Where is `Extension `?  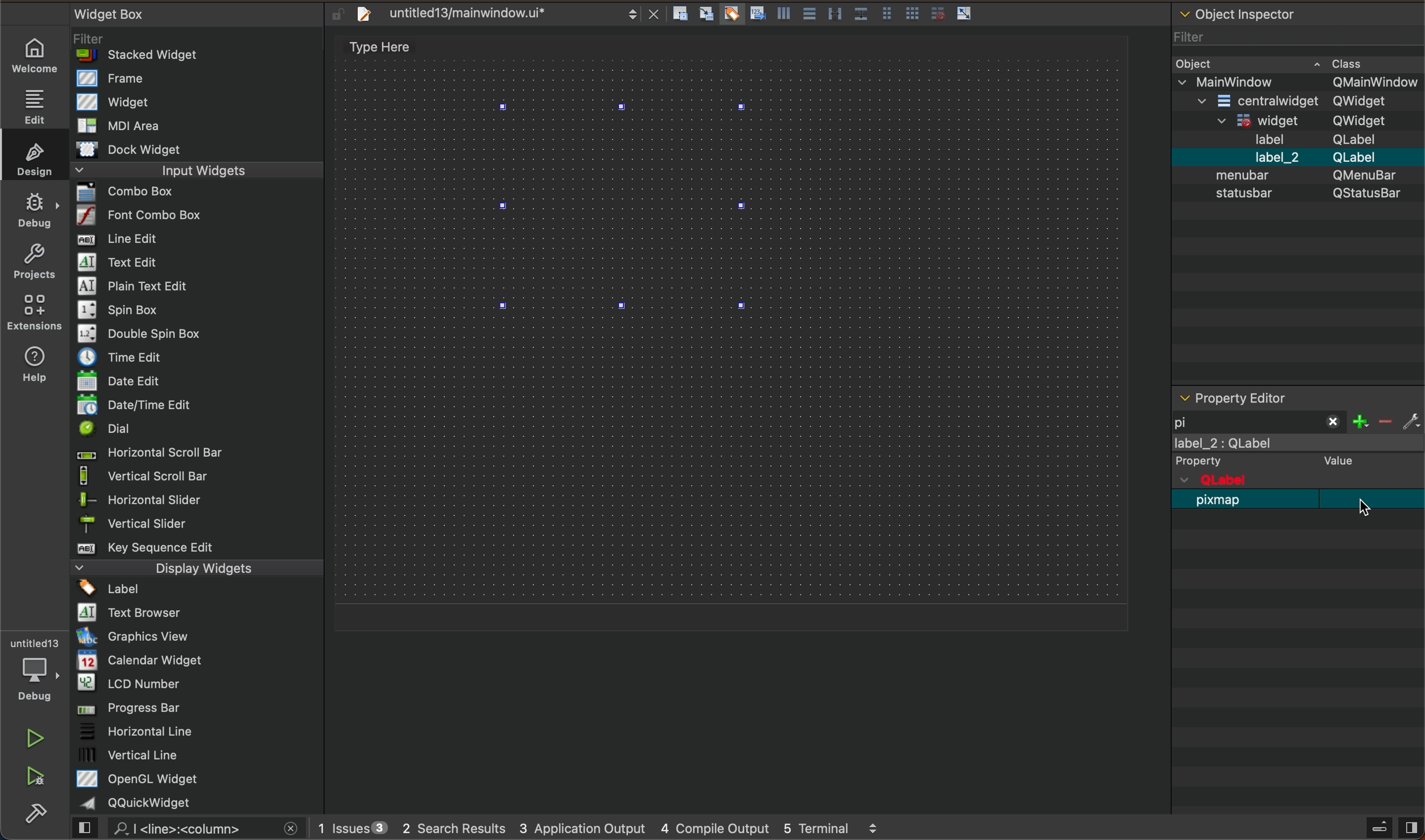
Extension  is located at coordinates (34, 312).